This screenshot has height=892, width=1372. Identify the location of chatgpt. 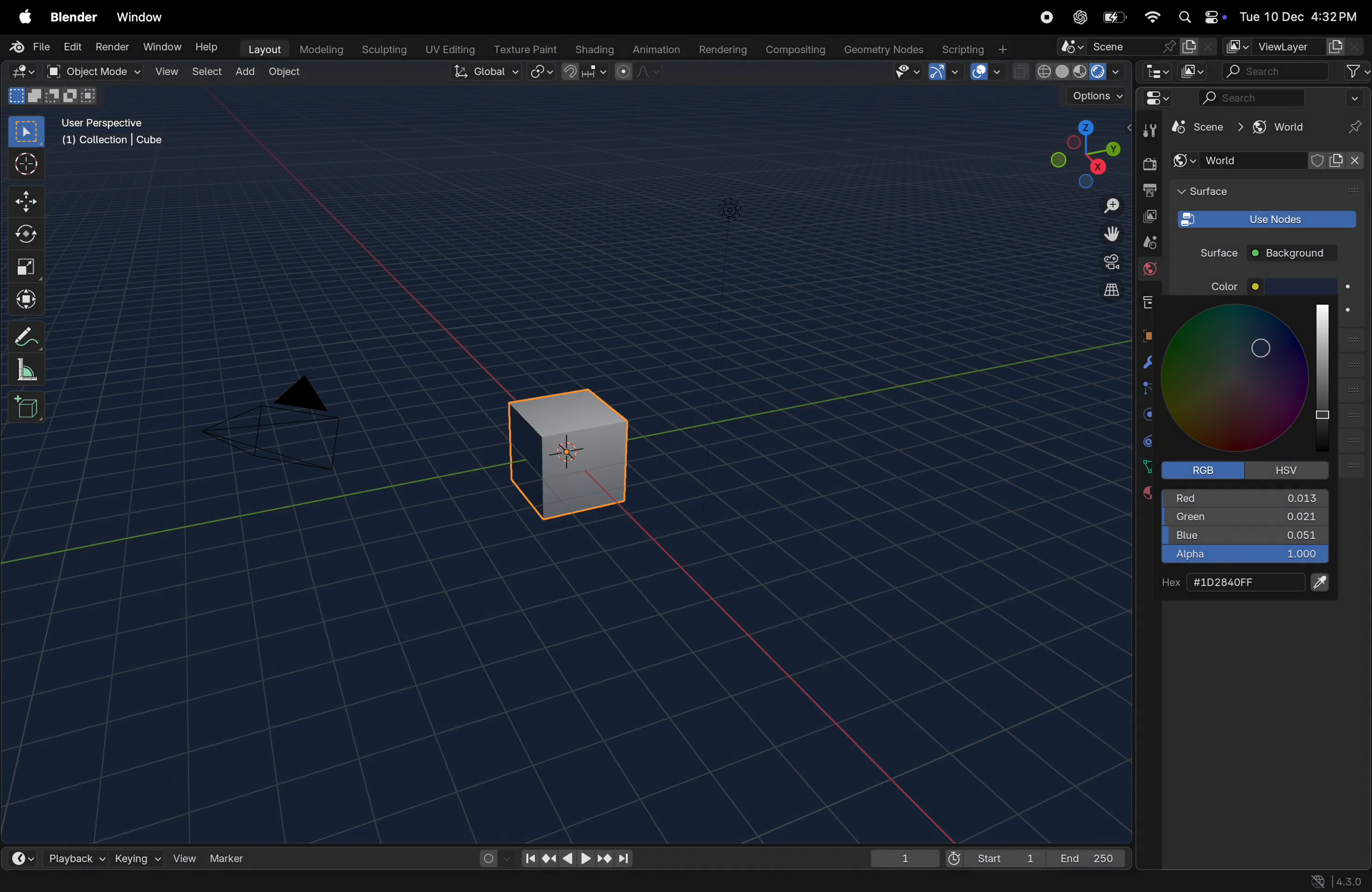
(1081, 17).